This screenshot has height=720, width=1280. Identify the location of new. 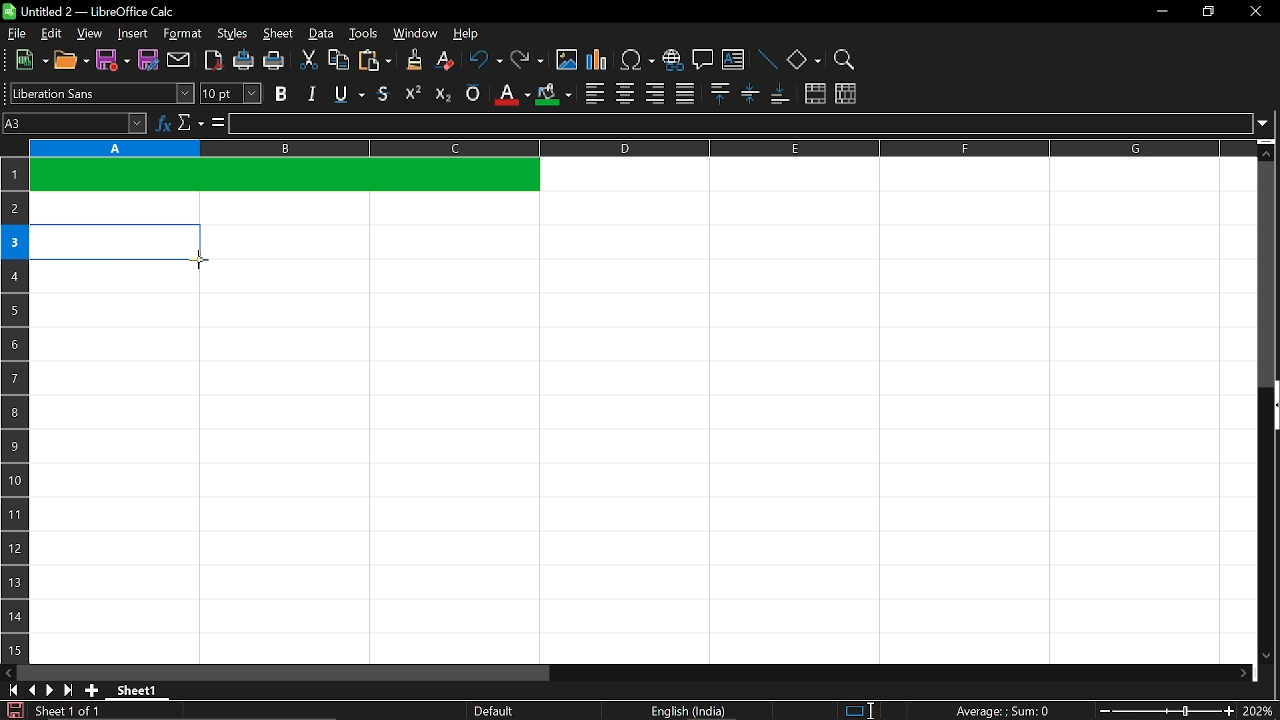
(27, 61).